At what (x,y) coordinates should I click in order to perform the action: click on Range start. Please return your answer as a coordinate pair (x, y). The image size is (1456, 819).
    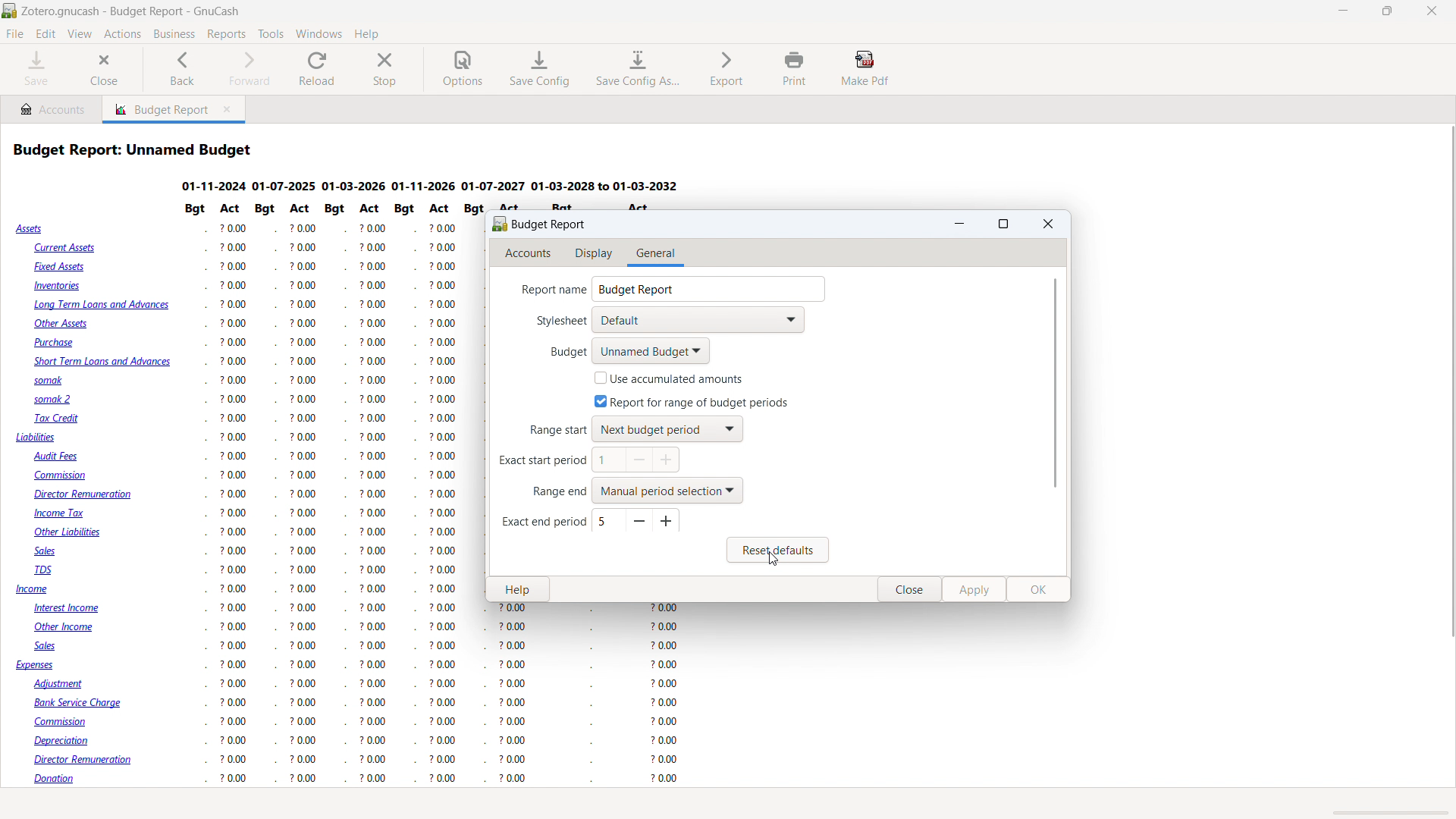
    Looking at the image, I should click on (548, 431).